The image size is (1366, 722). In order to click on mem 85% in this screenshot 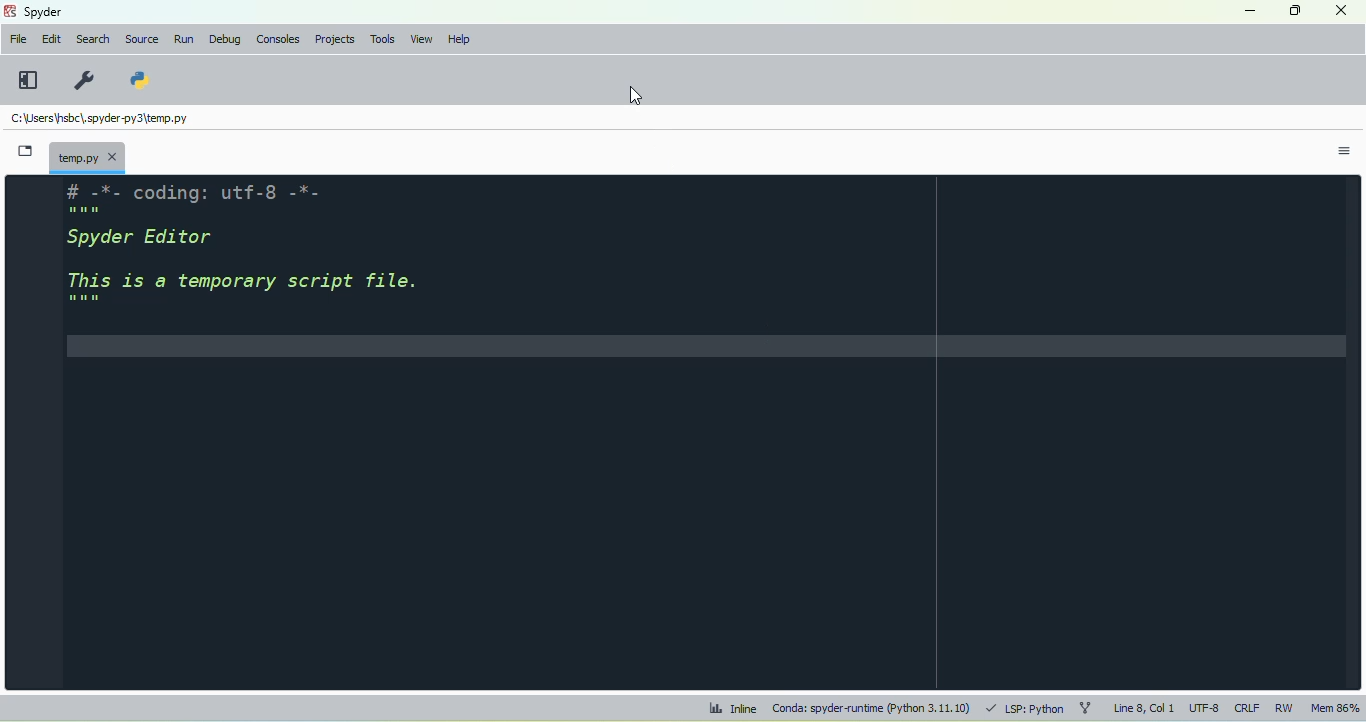, I will do `click(1335, 707)`.